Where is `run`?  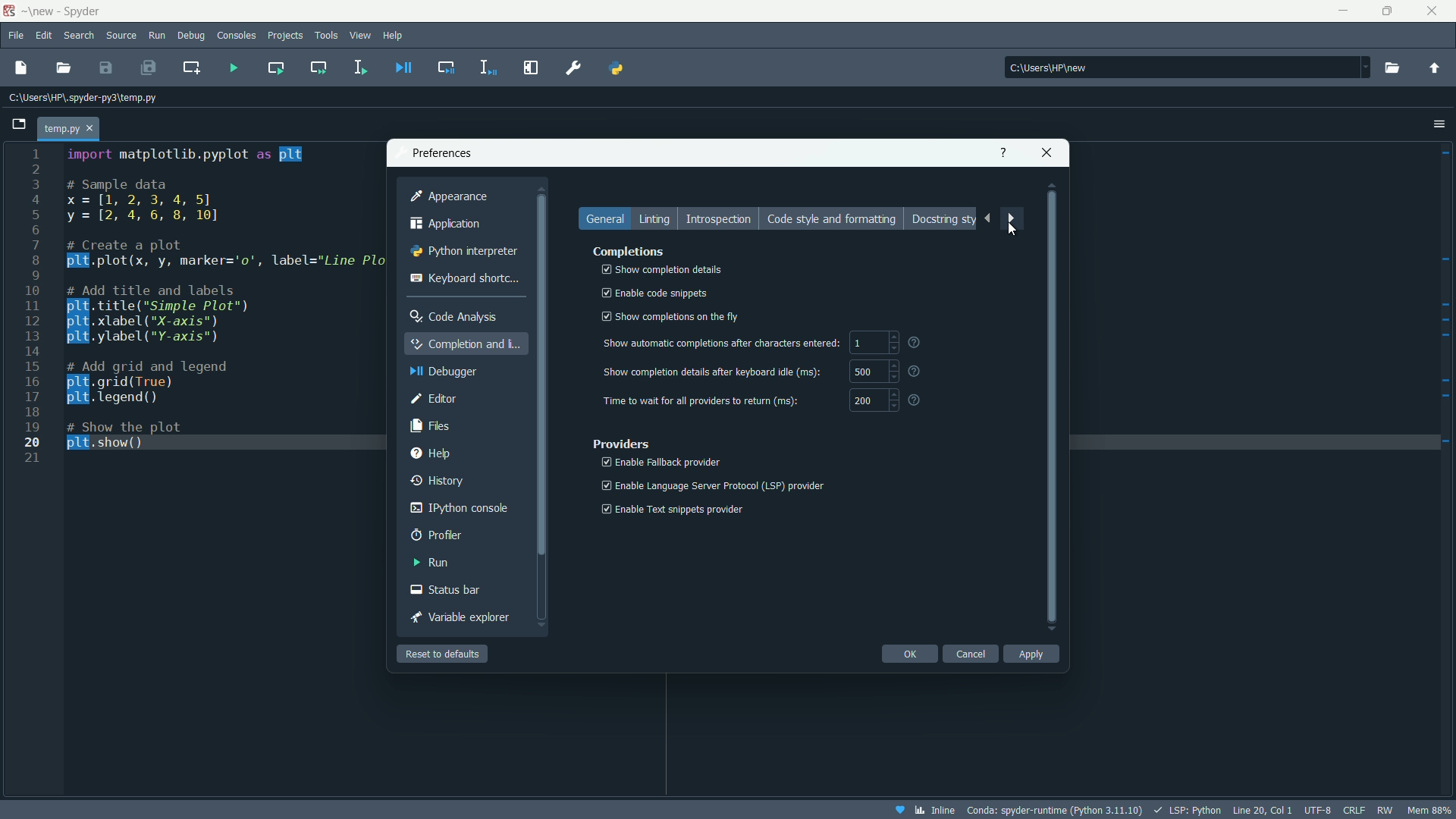
run is located at coordinates (431, 562).